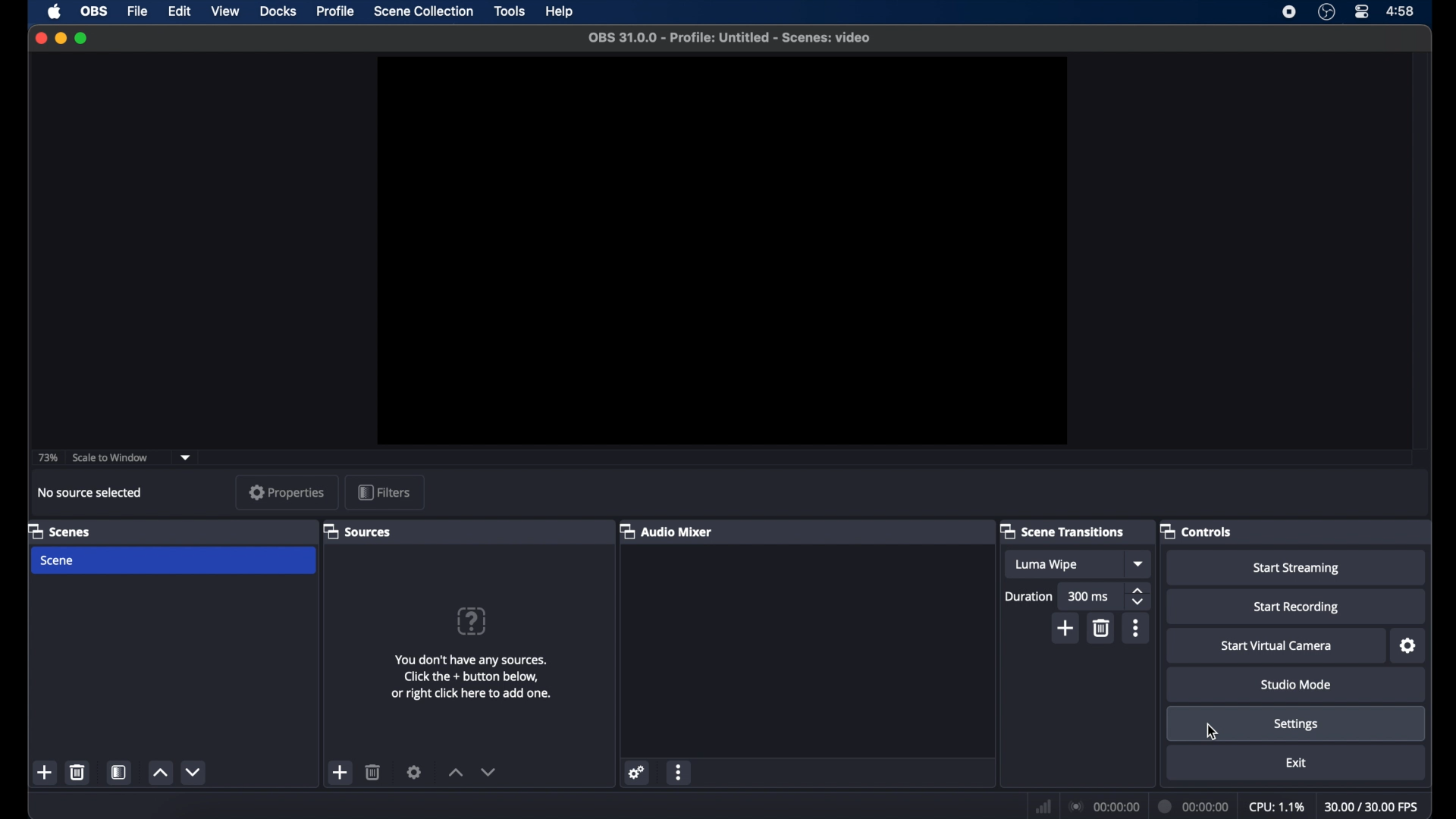 The image size is (1456, 819). Describe the element at coordinates (385, 492) in the screenshot. I see `filters` at that location.